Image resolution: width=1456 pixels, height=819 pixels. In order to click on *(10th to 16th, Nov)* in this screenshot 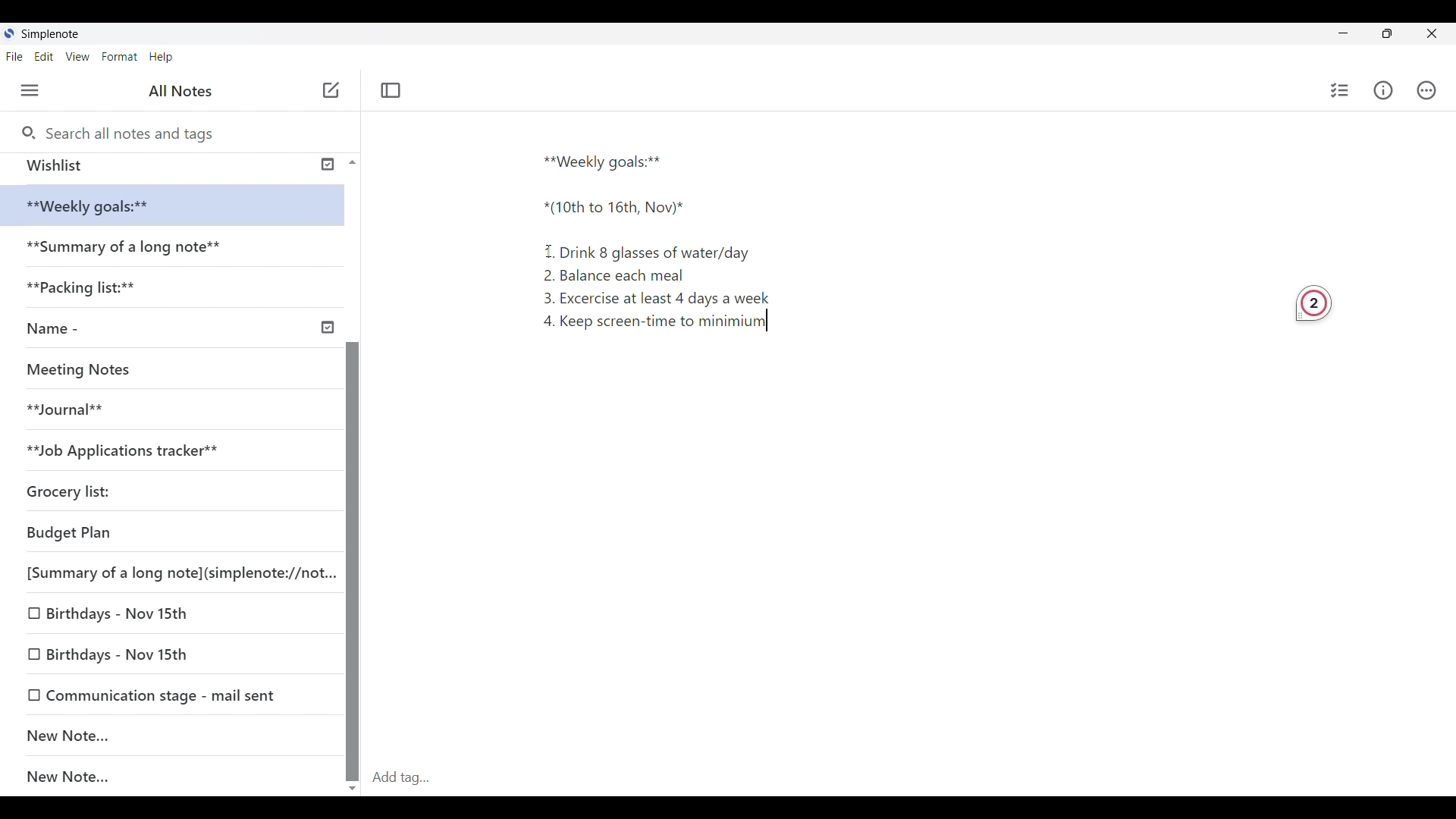, I will do `click(615, 211)`.